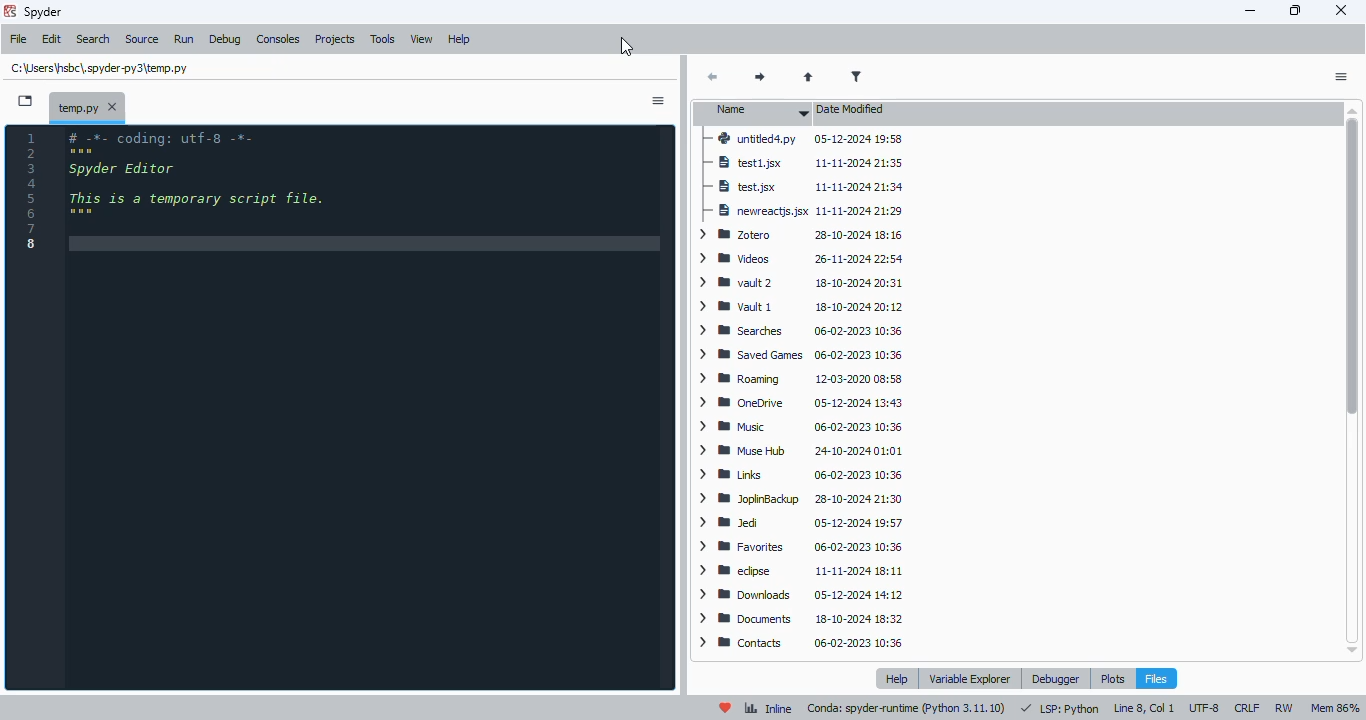  What do you see at coordinates (803, 333) in the screenshot?
I see `Searches` at bounding box center [803, 333].